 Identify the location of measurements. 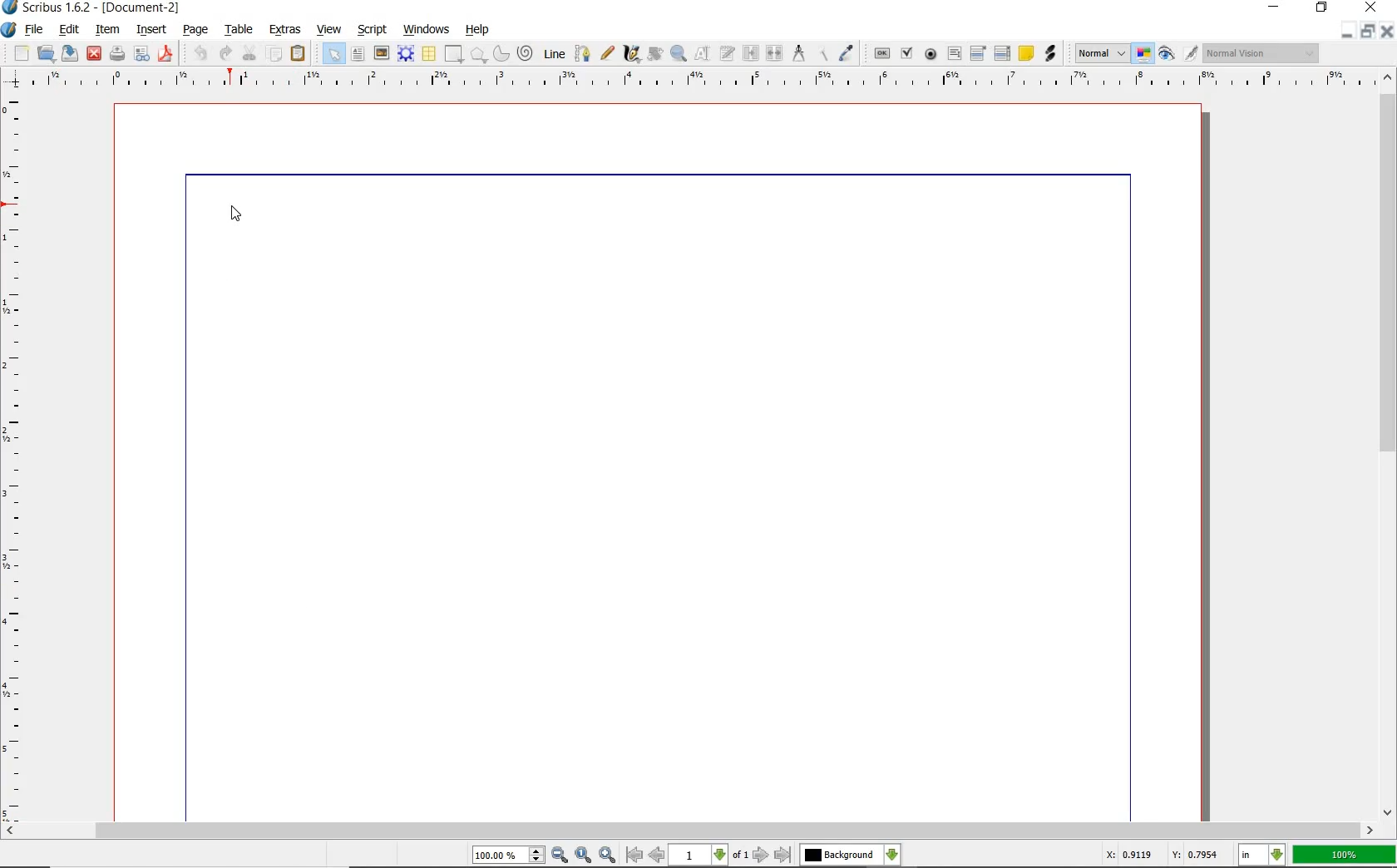
(799, 54).